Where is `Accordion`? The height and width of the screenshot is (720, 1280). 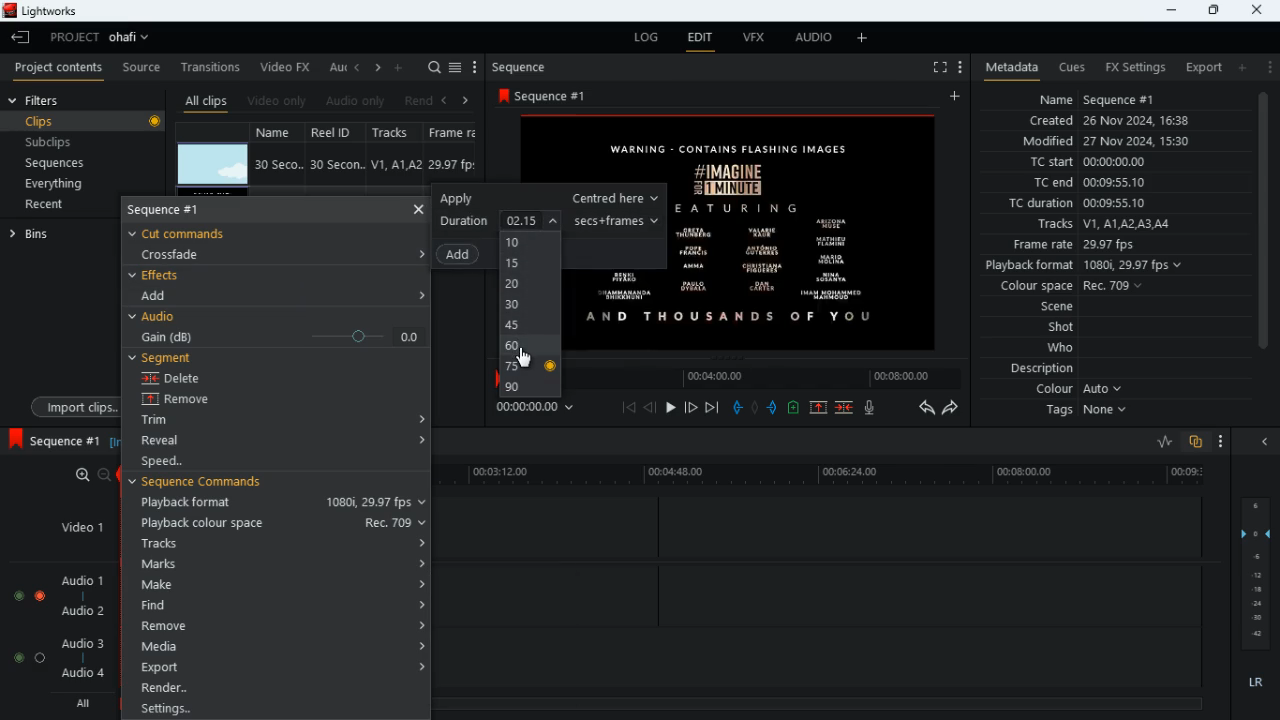 Accordion is located at coordinates (418, 253).